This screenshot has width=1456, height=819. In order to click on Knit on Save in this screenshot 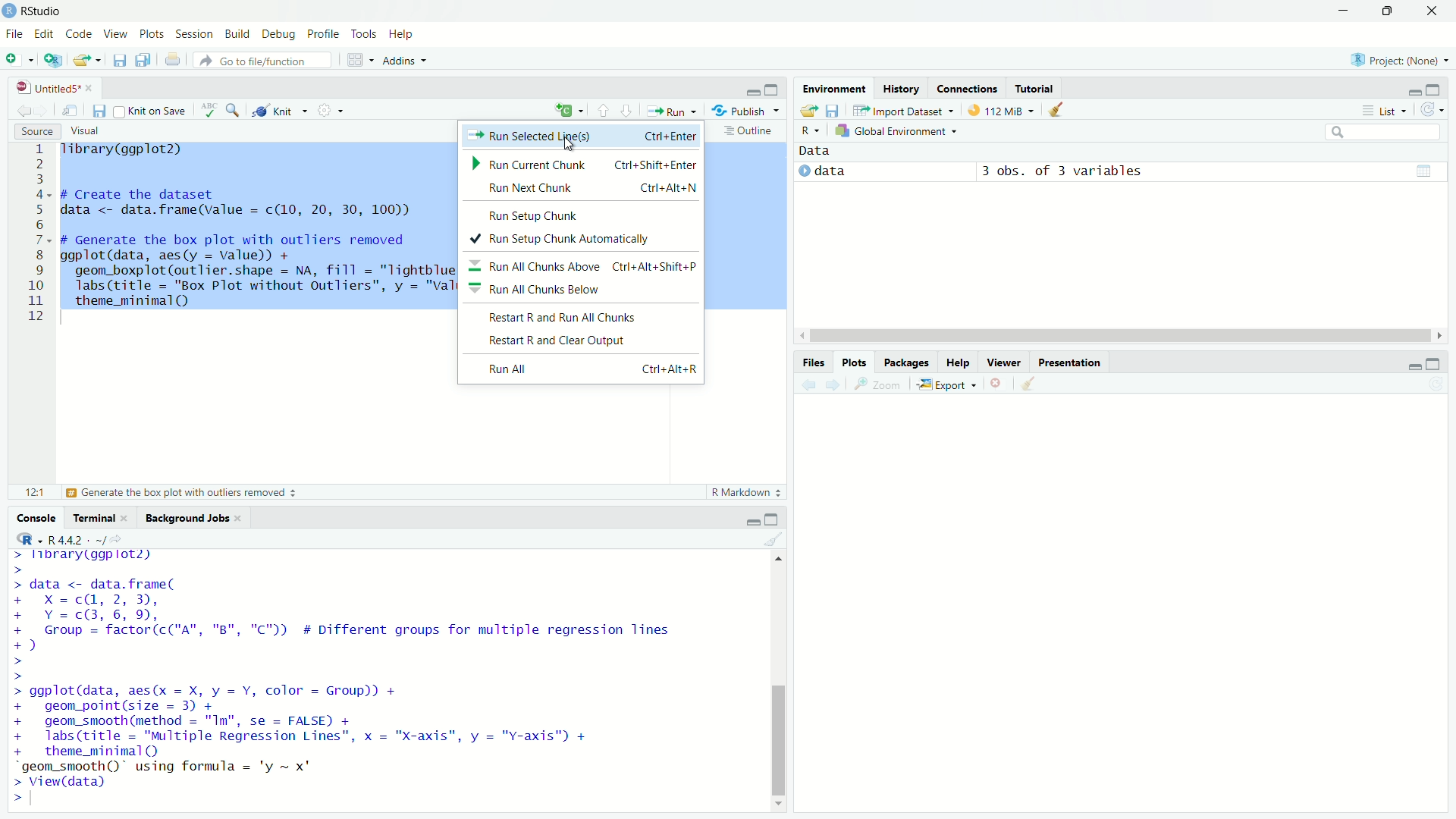, I will do `click(149, 112)`.